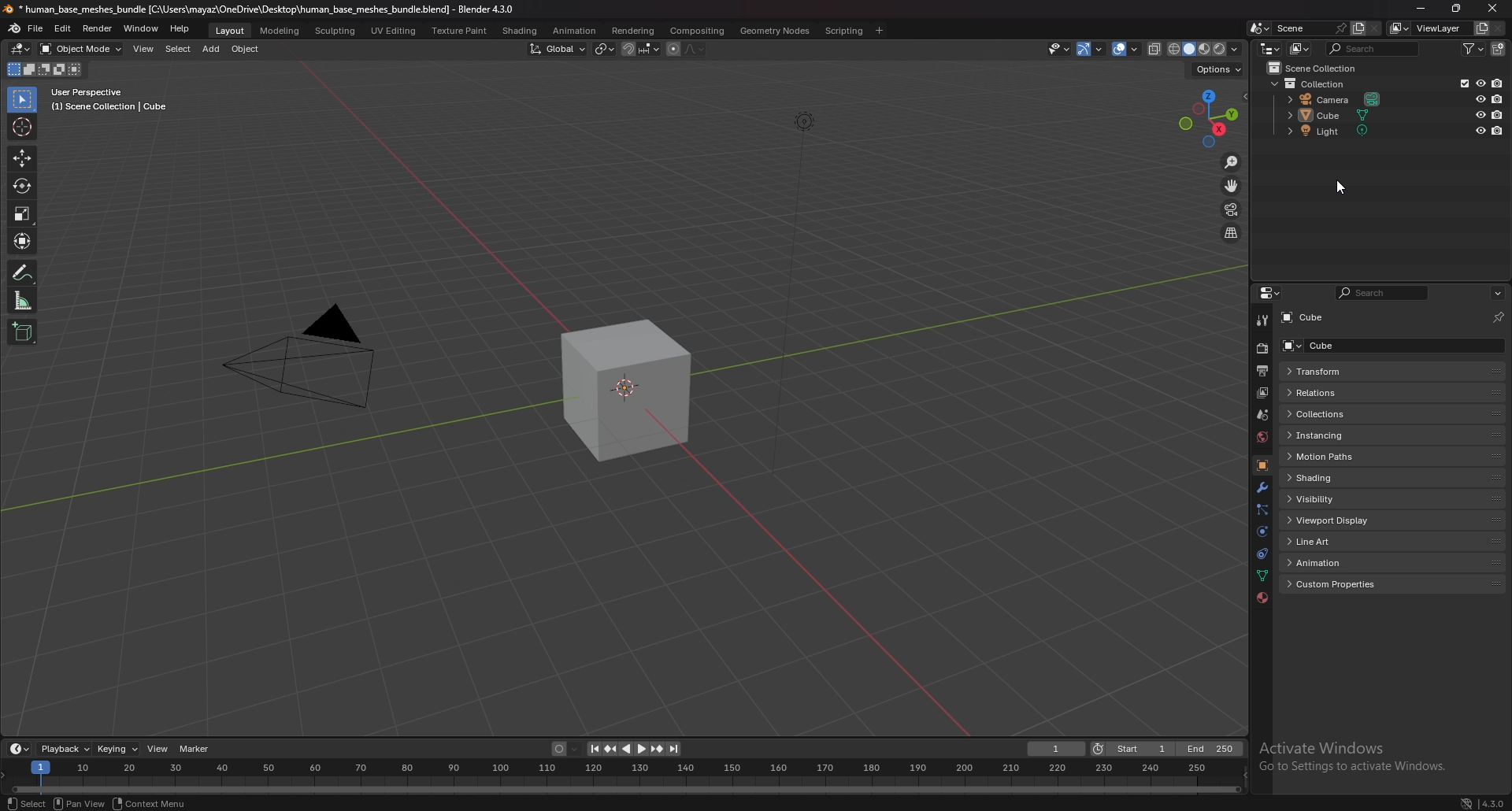  I want to click on end, so click(1210, 749).